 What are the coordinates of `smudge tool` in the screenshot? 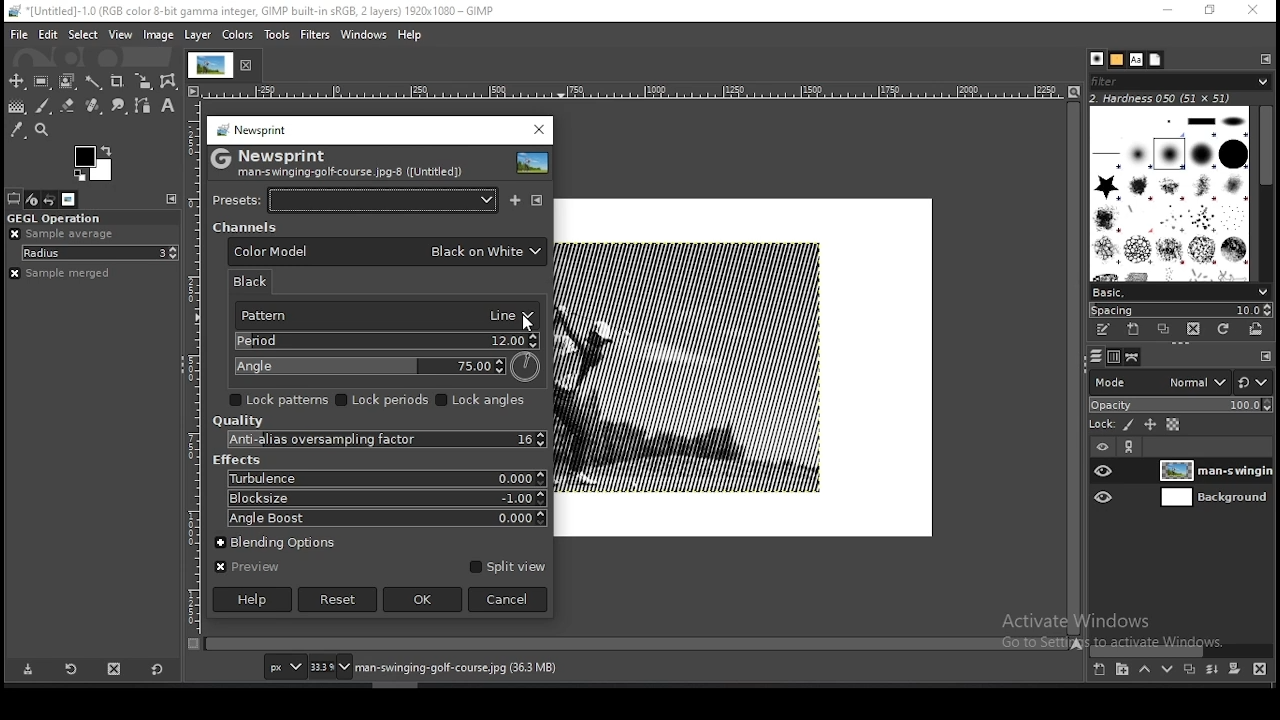 It's located at (119, 105).